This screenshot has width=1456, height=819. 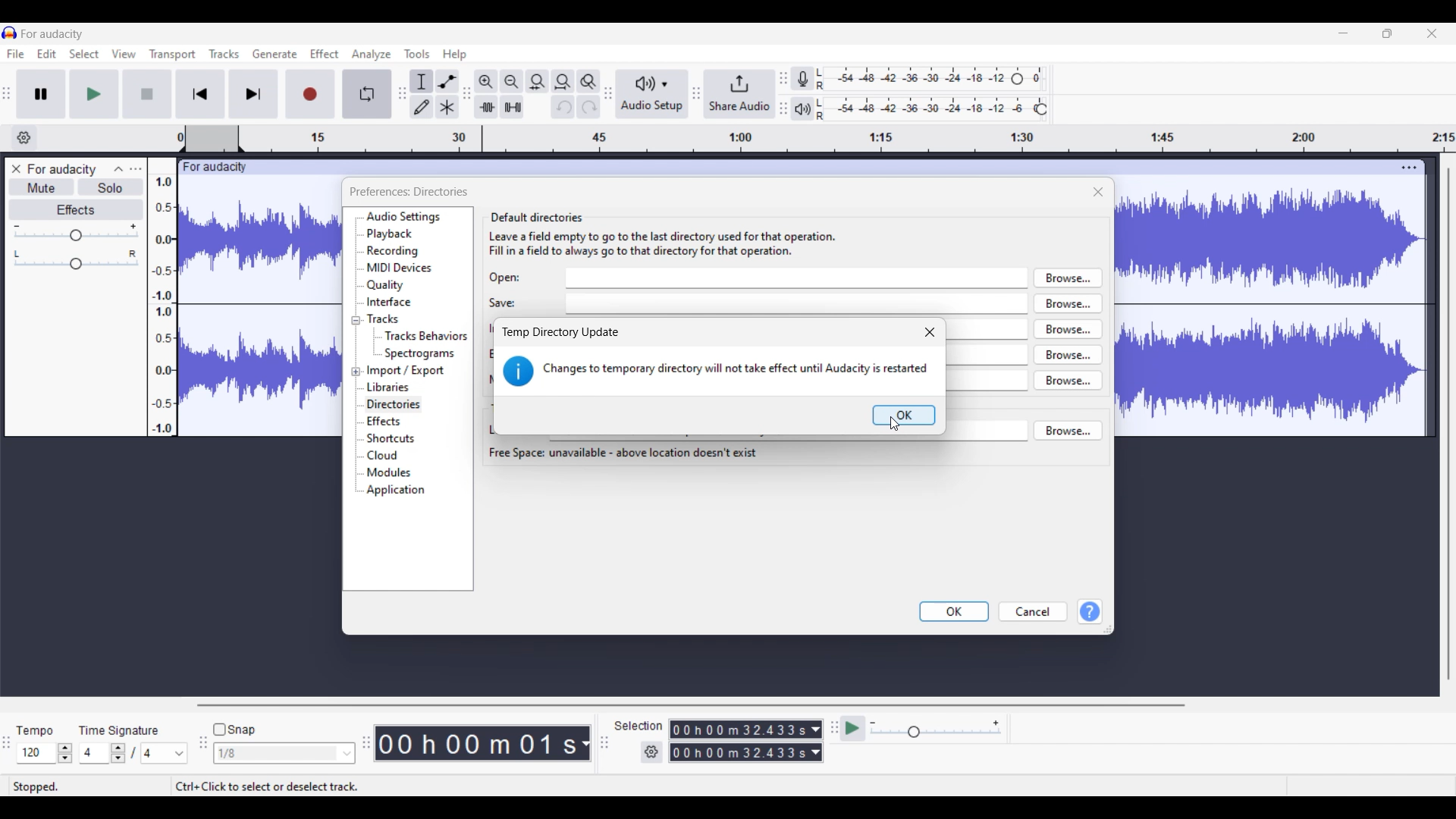 I want to click on Mute, so click(x=42, y=187).